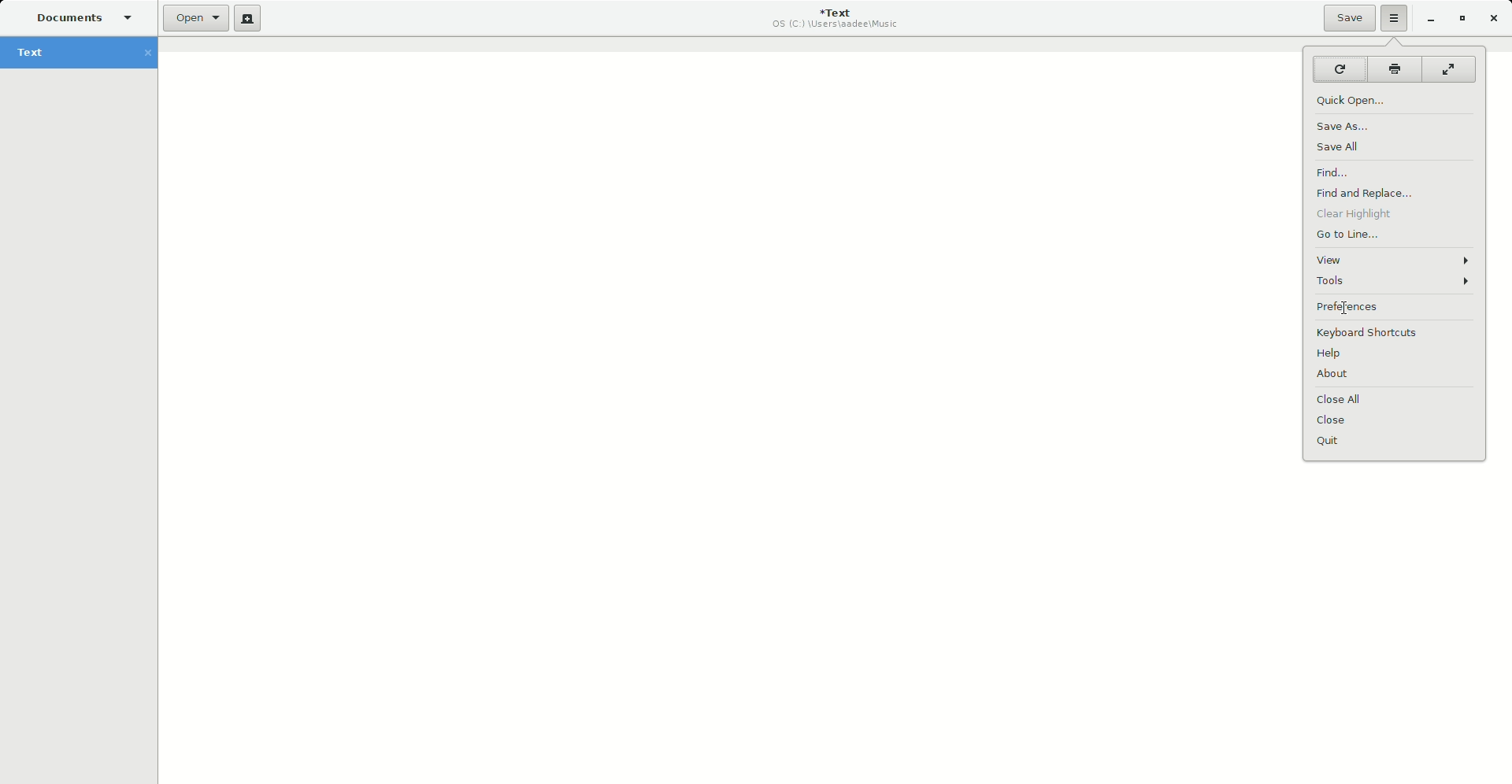 This screenshot has height=784, width=1512. Describe the element at coordinates (1357, 102) in the screenshot. I see `Quick Open` at that location.